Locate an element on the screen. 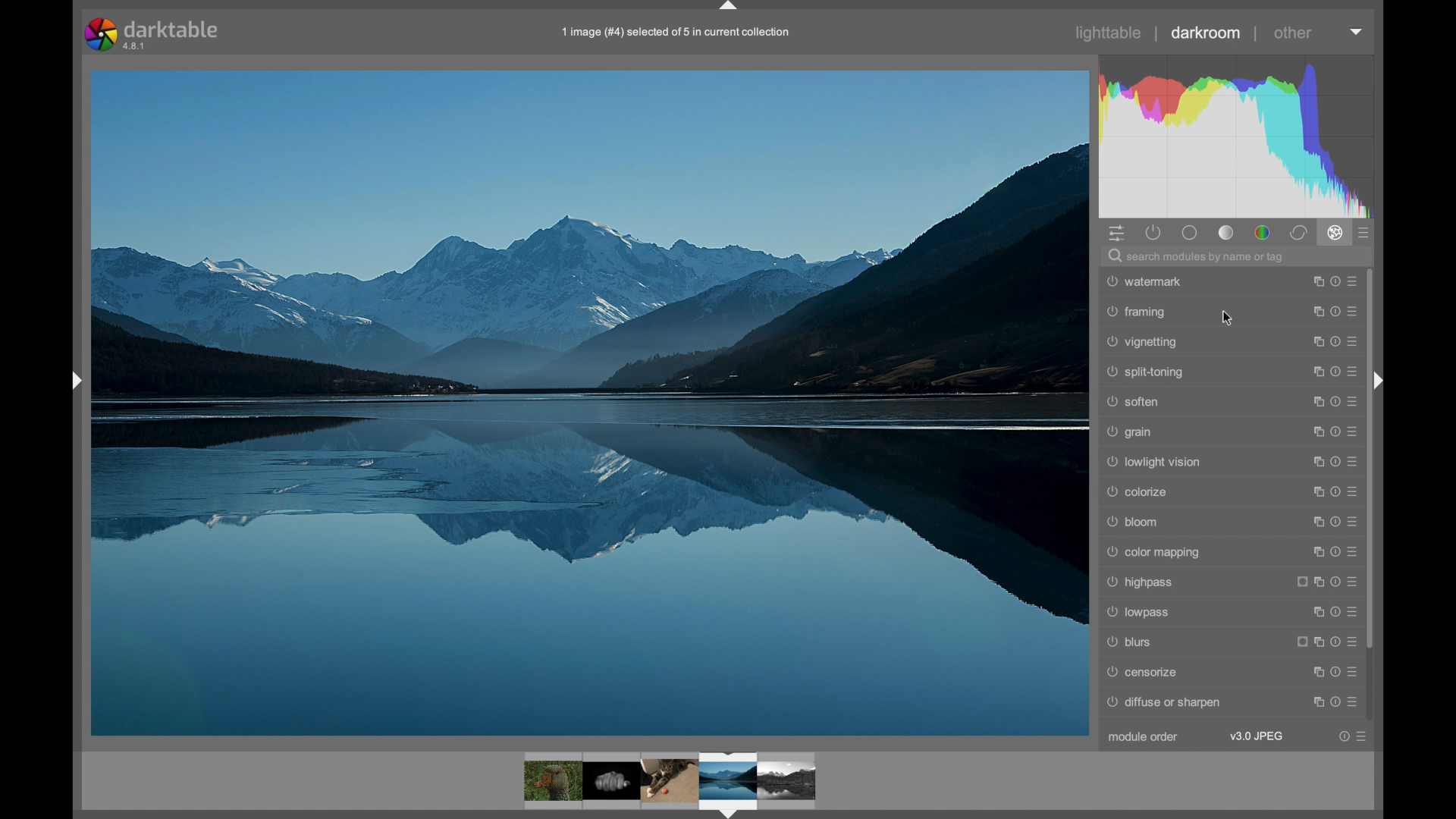  module order is located at coordinates (1144, 737).